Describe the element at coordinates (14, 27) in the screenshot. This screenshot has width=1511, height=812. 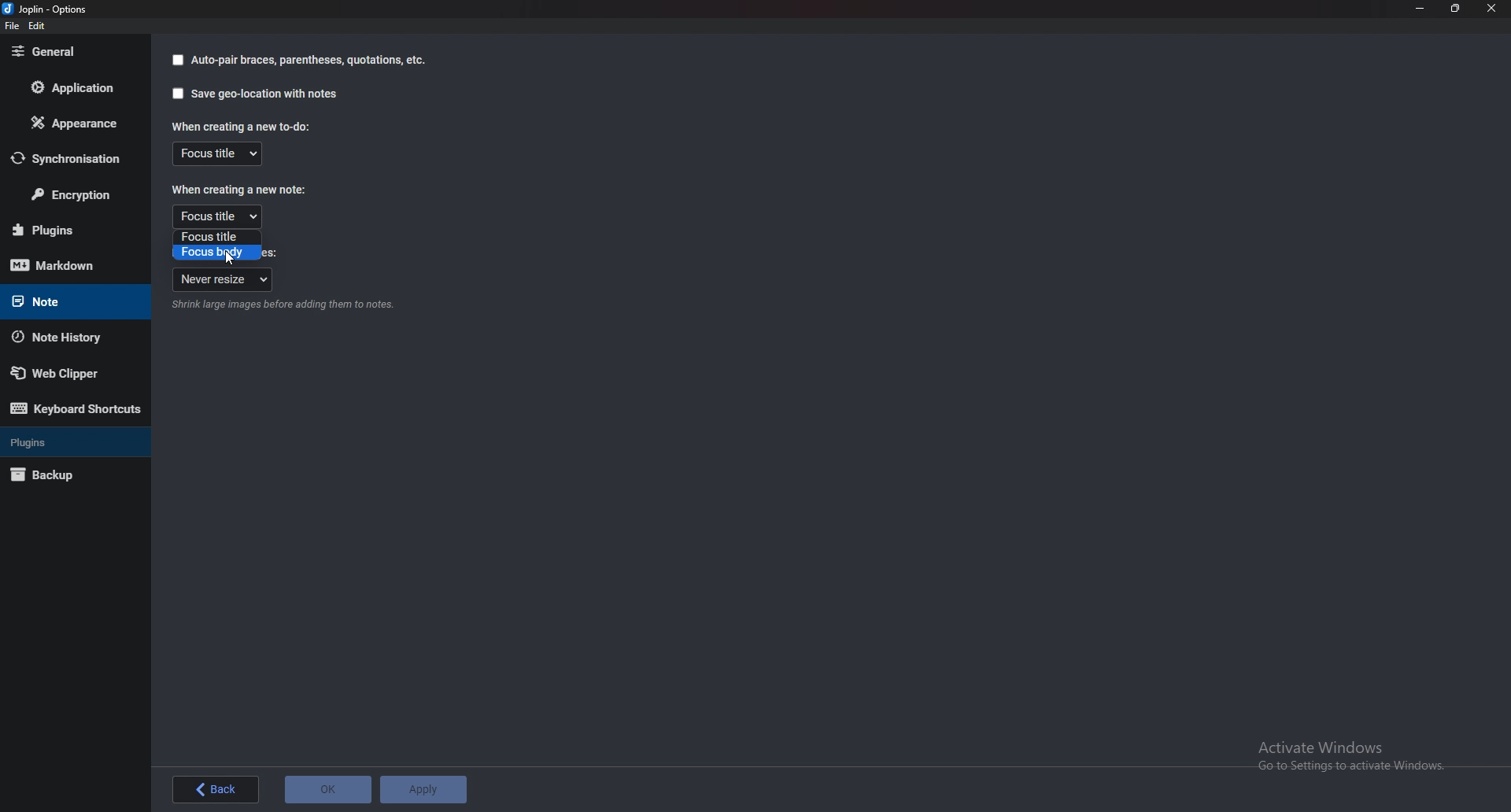
I see `File` at that location.